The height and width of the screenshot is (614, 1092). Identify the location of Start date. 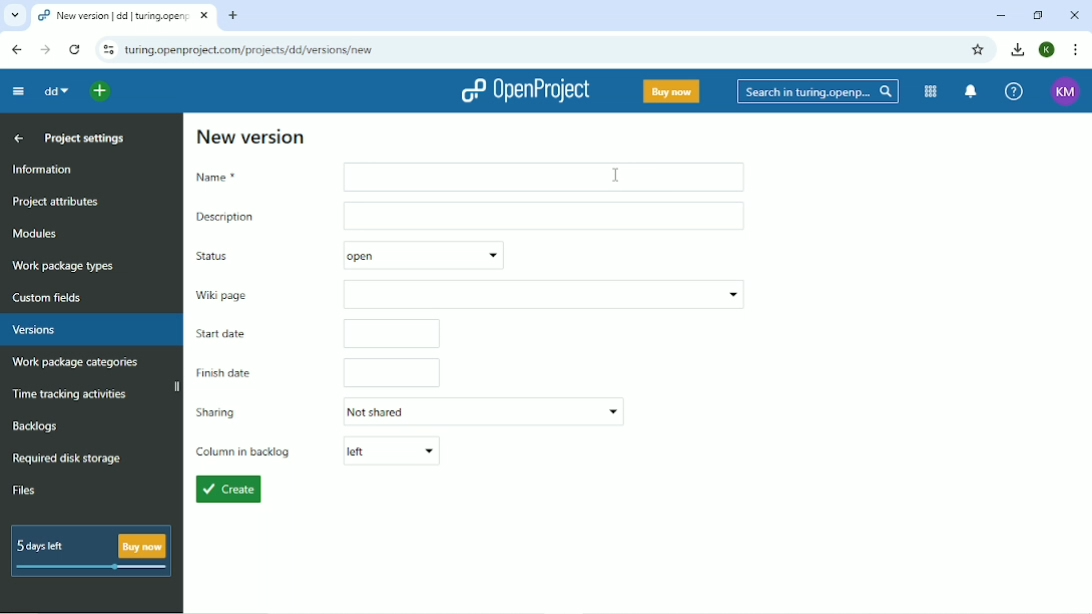
(315, 335).